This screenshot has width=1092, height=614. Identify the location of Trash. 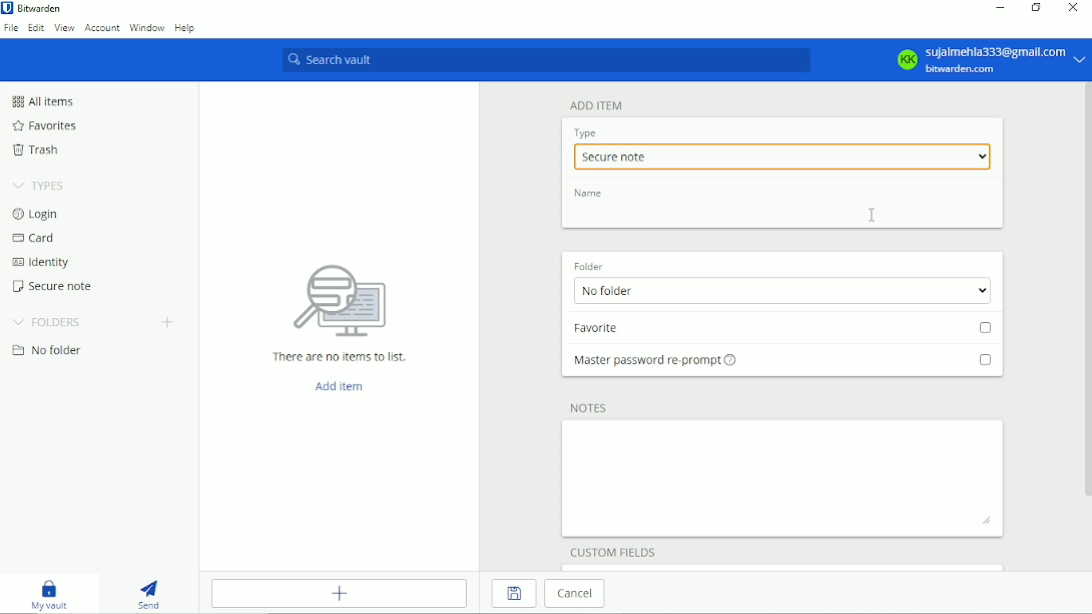
(35, 149).